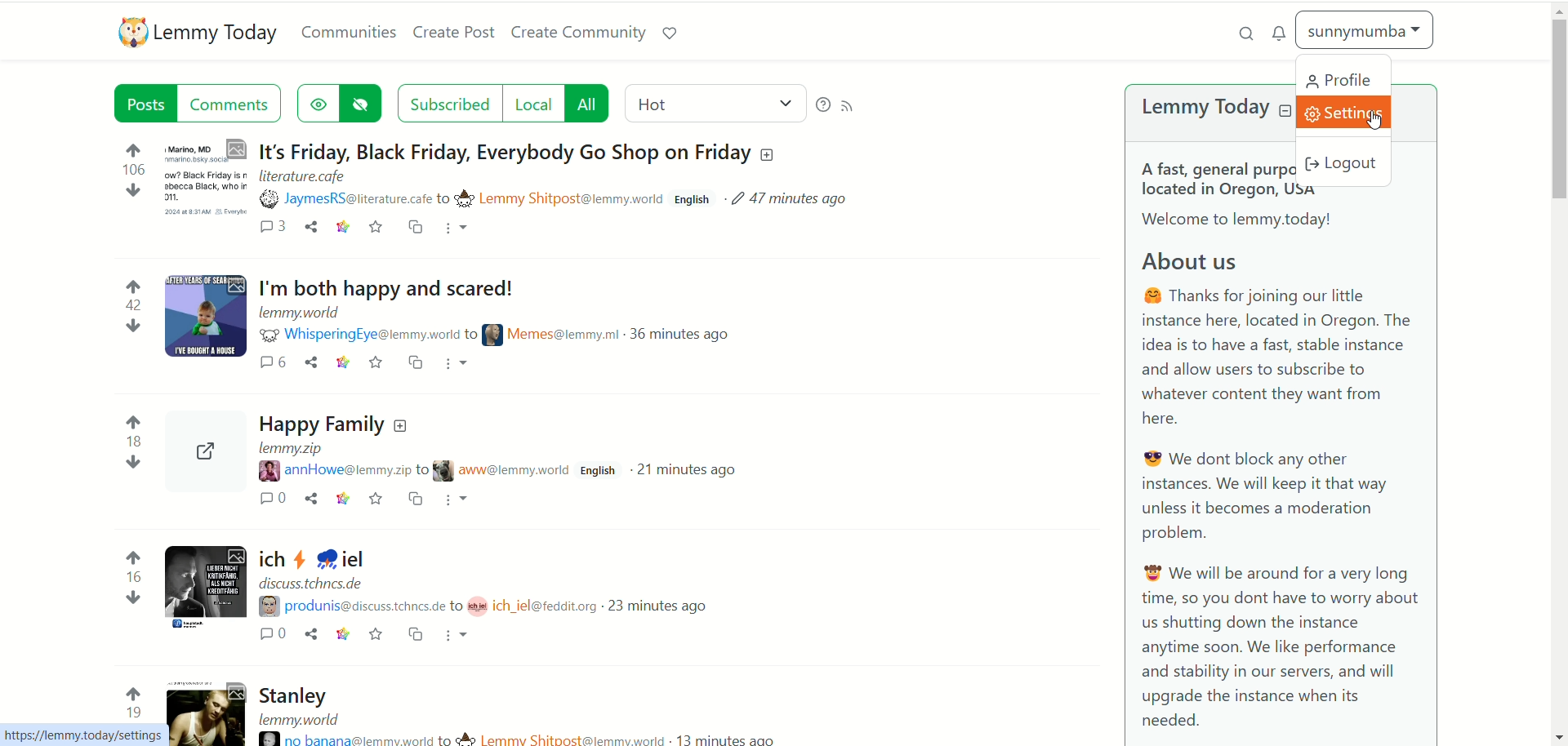  I want to click on profile, so click(1342, 78).